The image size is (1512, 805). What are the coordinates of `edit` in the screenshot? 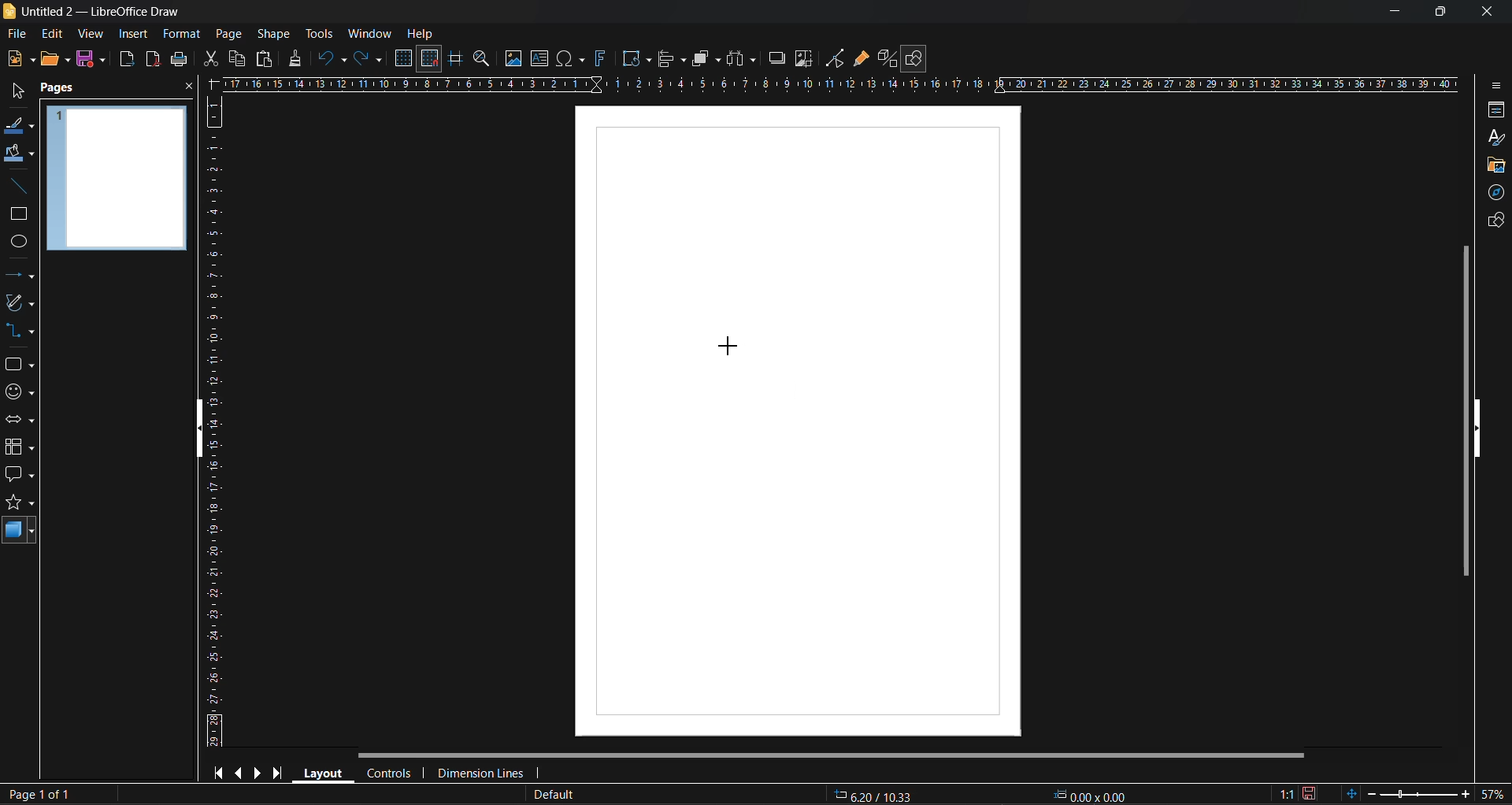 It's located at (51, 32).